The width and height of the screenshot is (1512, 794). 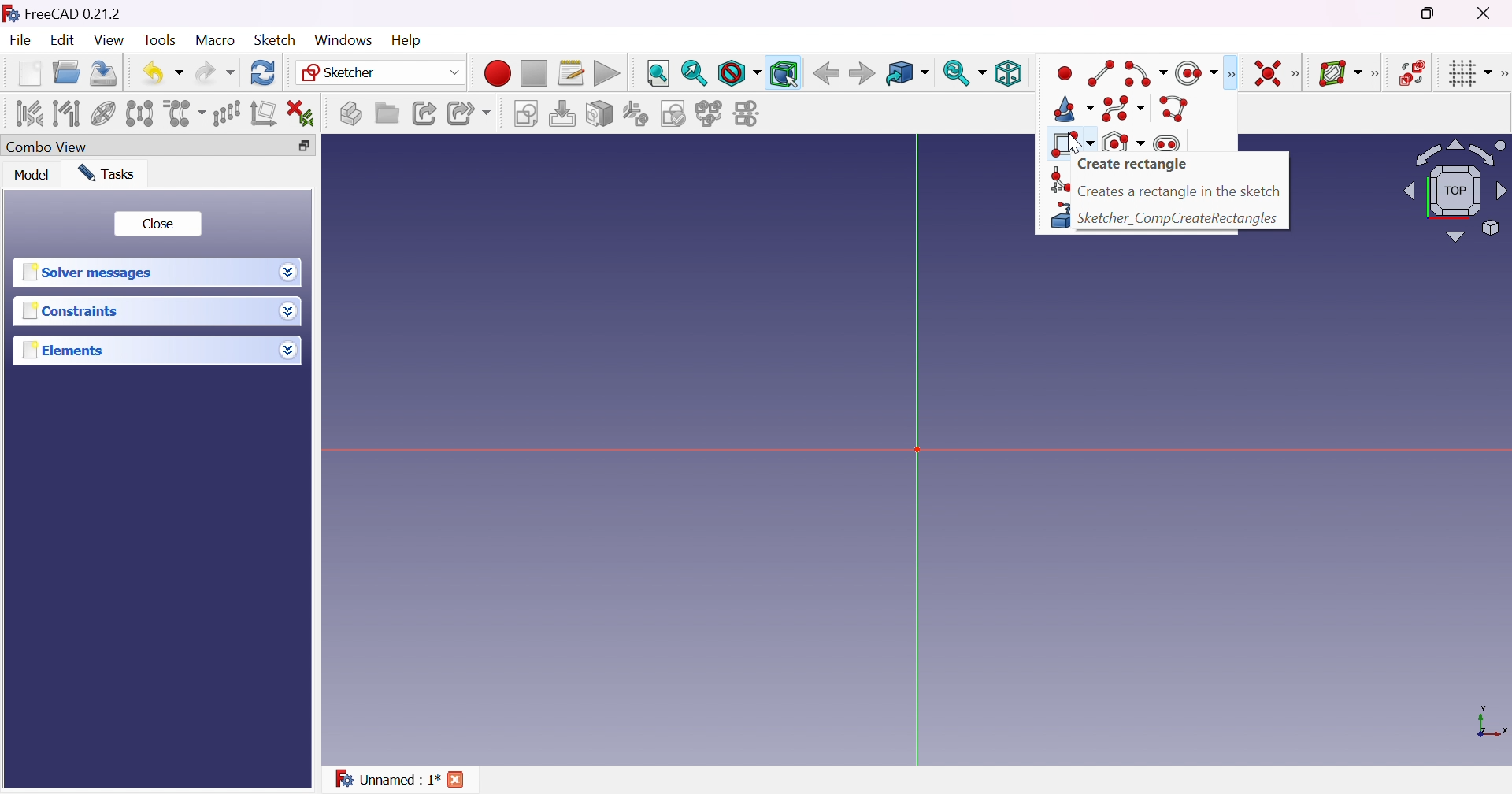 I want to click on Fit all, so click(x=658, y=72).